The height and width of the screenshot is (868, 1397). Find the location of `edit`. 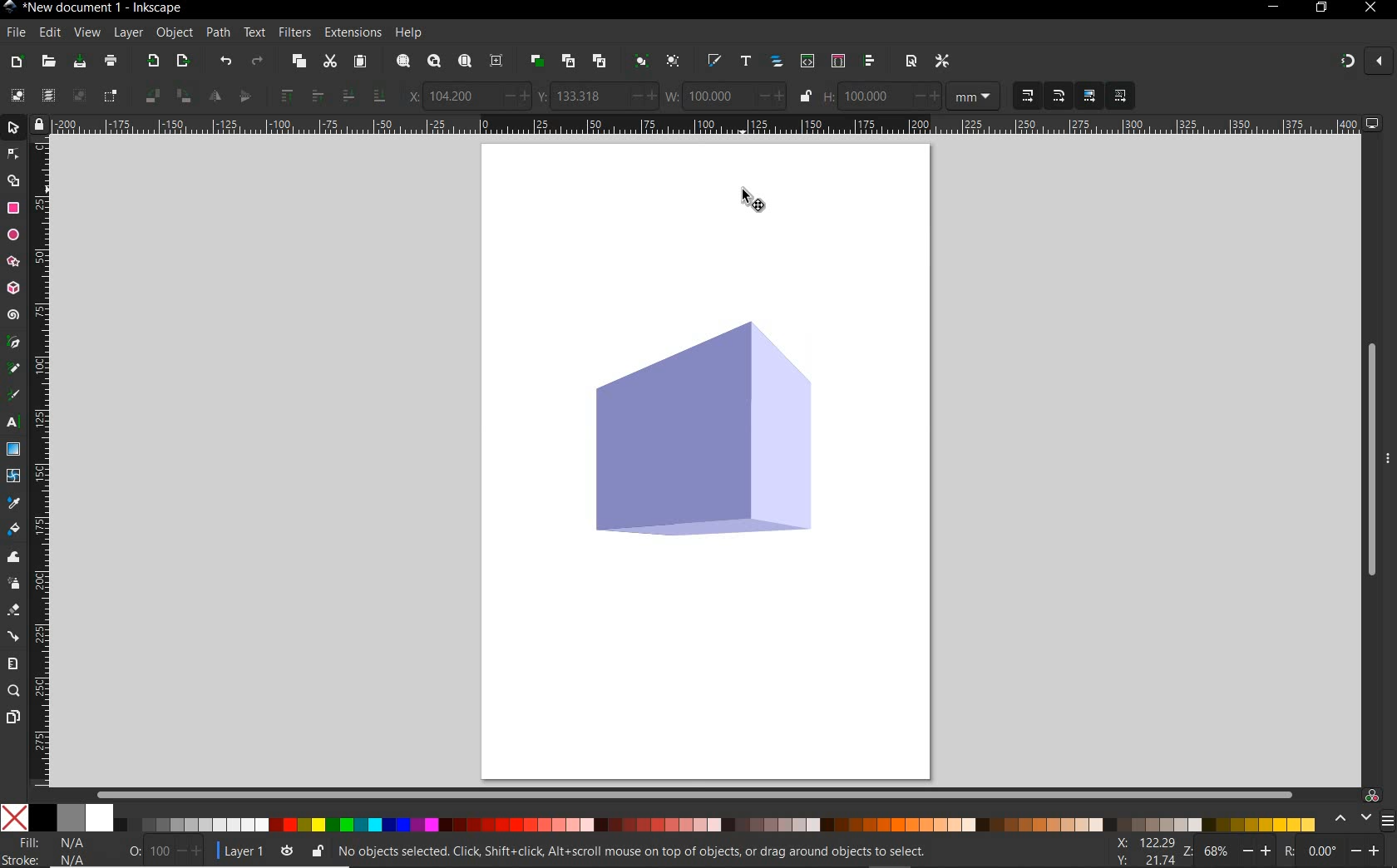

edit is located at coordinates (48, 33).